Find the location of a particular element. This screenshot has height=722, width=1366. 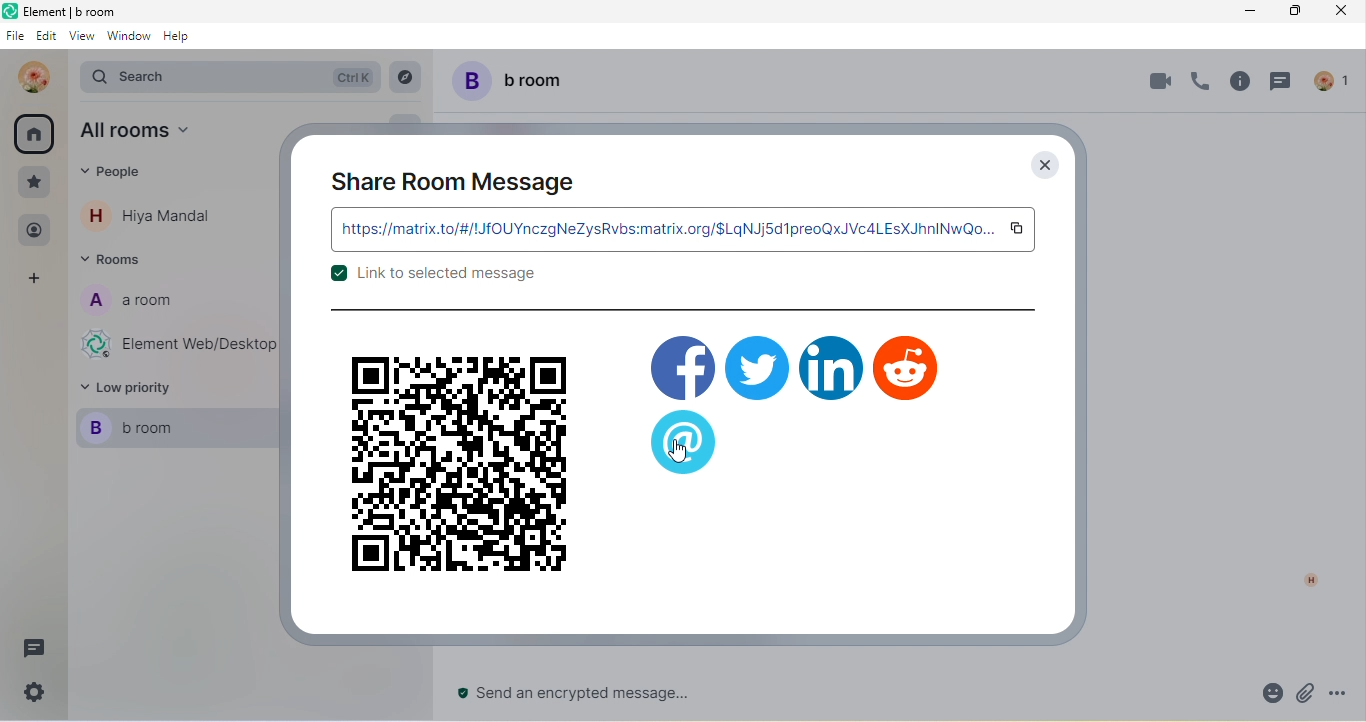

h is located at coordinates (1305, 579).